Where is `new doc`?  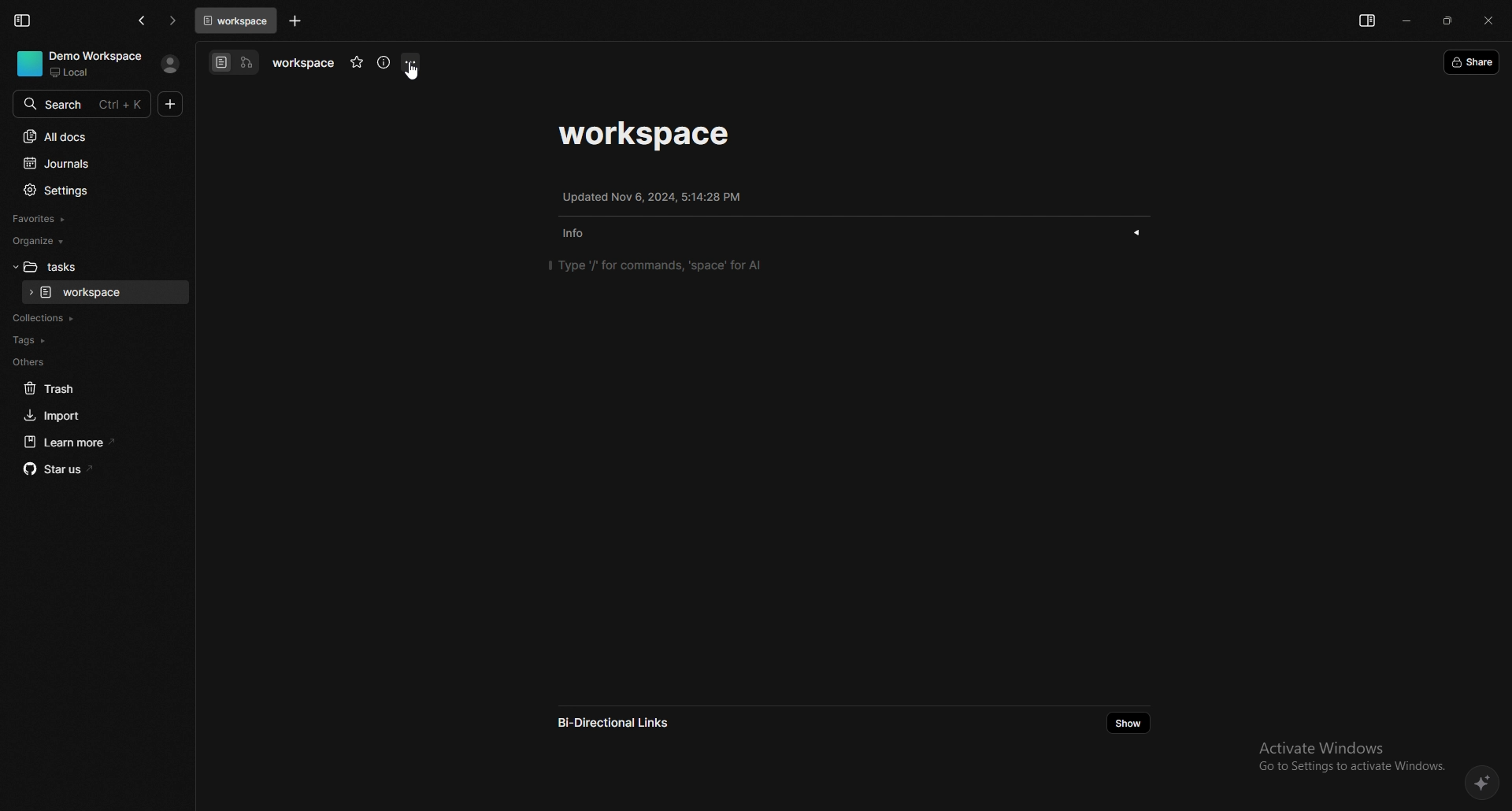 new doc is located at coordinates (171, 104).